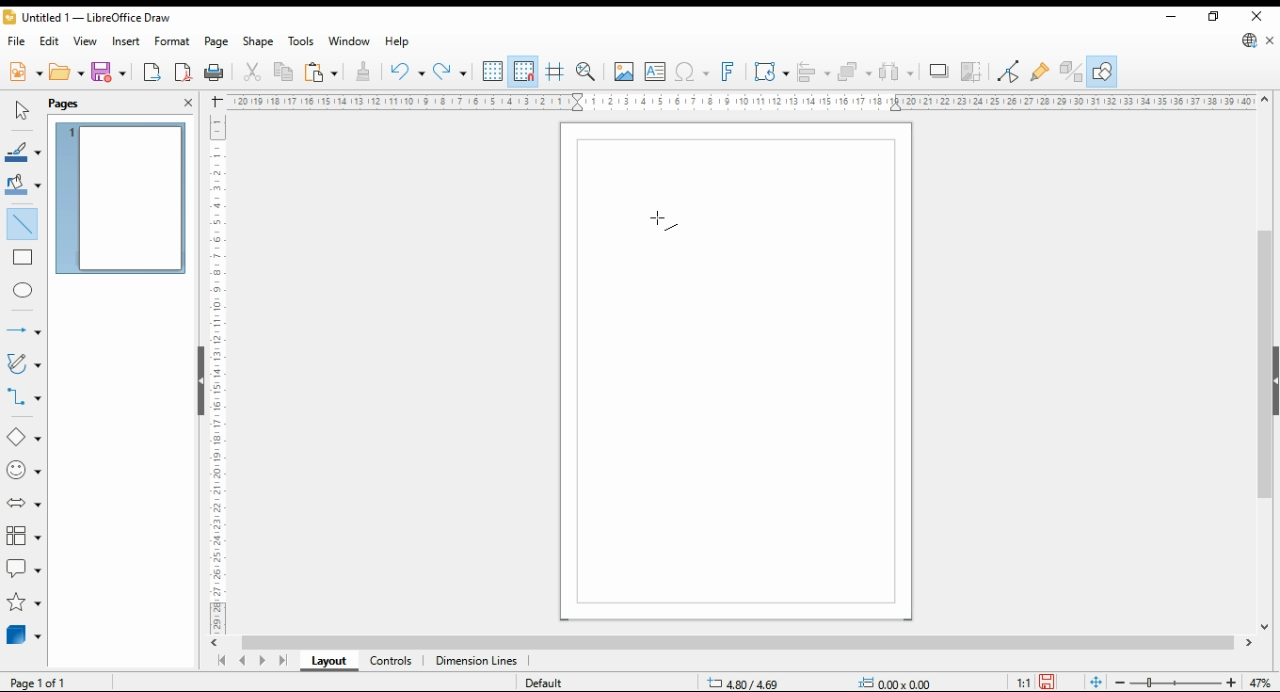 This screenshot has width=1280, height=692. What do you see at coordinates (25, 635) in the screenshot?
I see `3D objects` at bounding box center [25, 635].